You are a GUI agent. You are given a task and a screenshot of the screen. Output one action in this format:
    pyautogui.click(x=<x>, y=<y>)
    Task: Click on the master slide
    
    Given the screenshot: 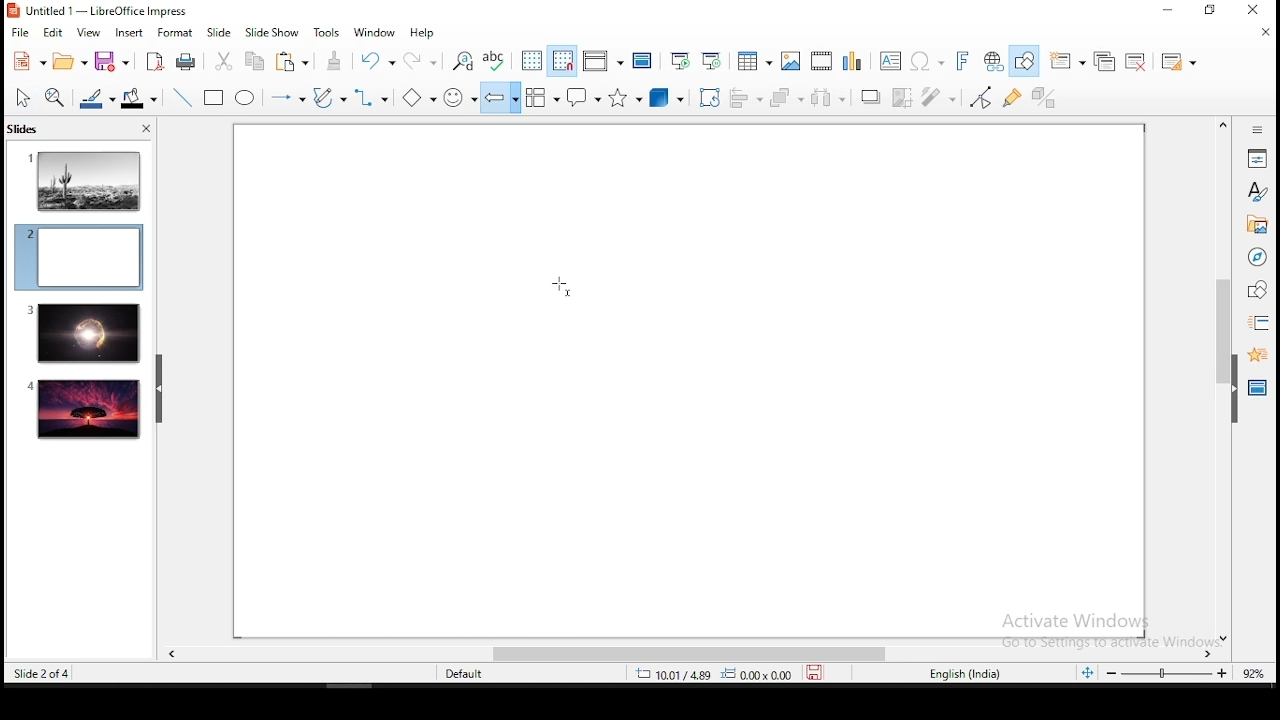 What is the action you would take?
    pyautogui.click(x=642, y=60)
    